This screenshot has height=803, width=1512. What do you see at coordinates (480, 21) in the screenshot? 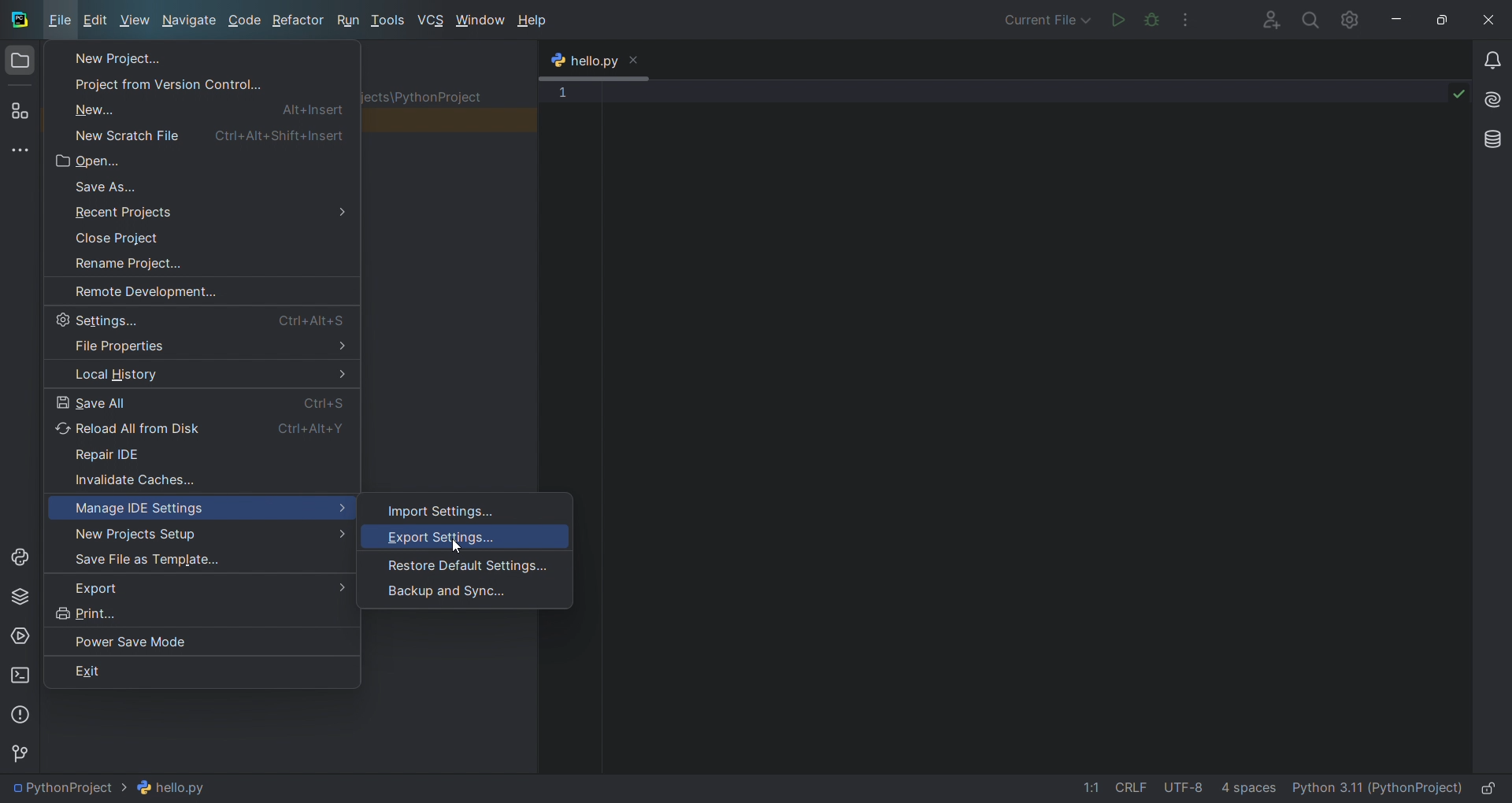
I see `window` at bounding box center [480, 21].